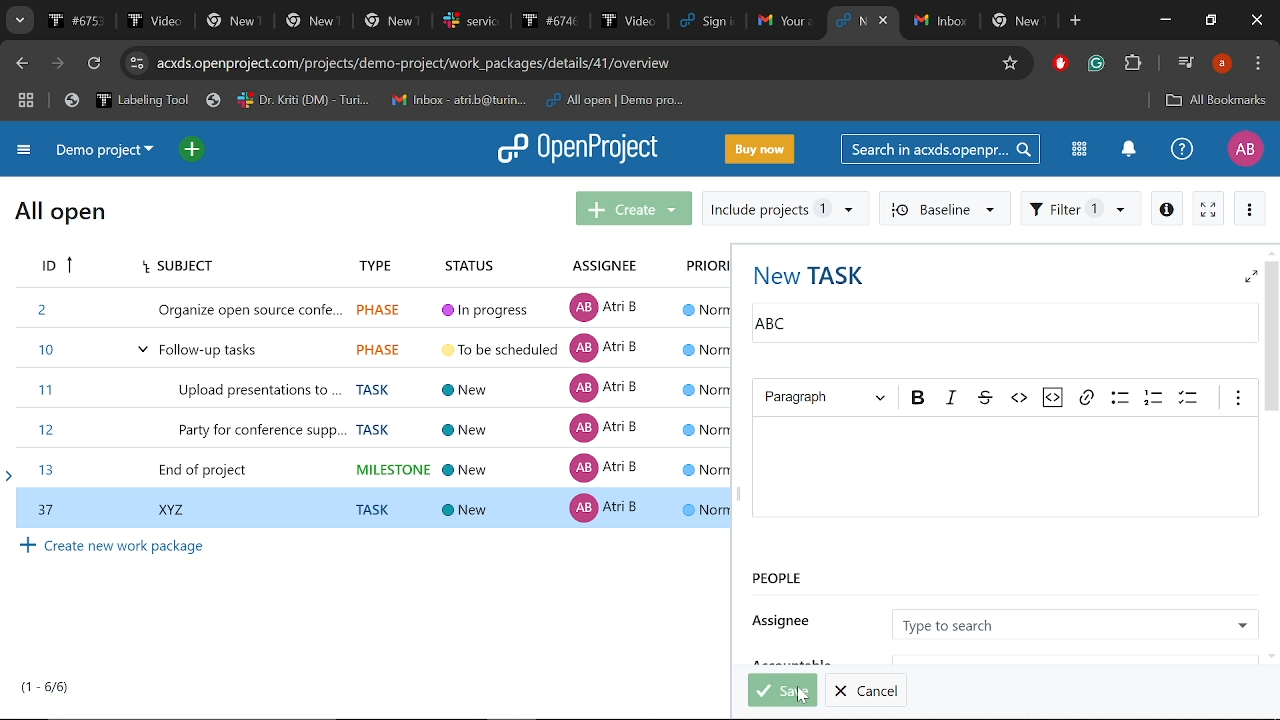 This screenshot has width=1280, height=720. Describe the element at coordinates (579, 149) in the screenshot. I see `Open project menu` at that location.